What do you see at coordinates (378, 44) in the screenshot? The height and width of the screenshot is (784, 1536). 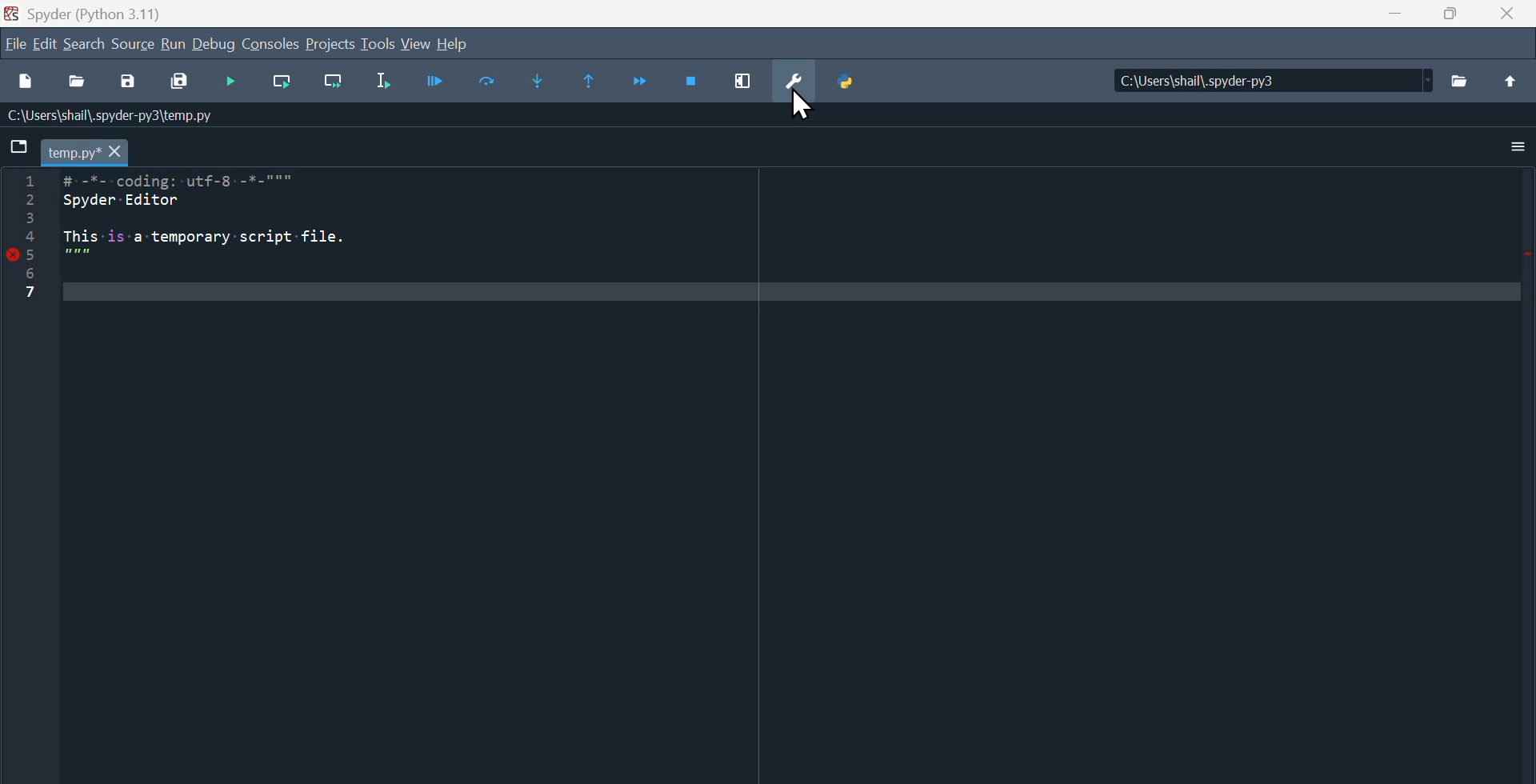 I see `tools` at bounding box center [378, 44].